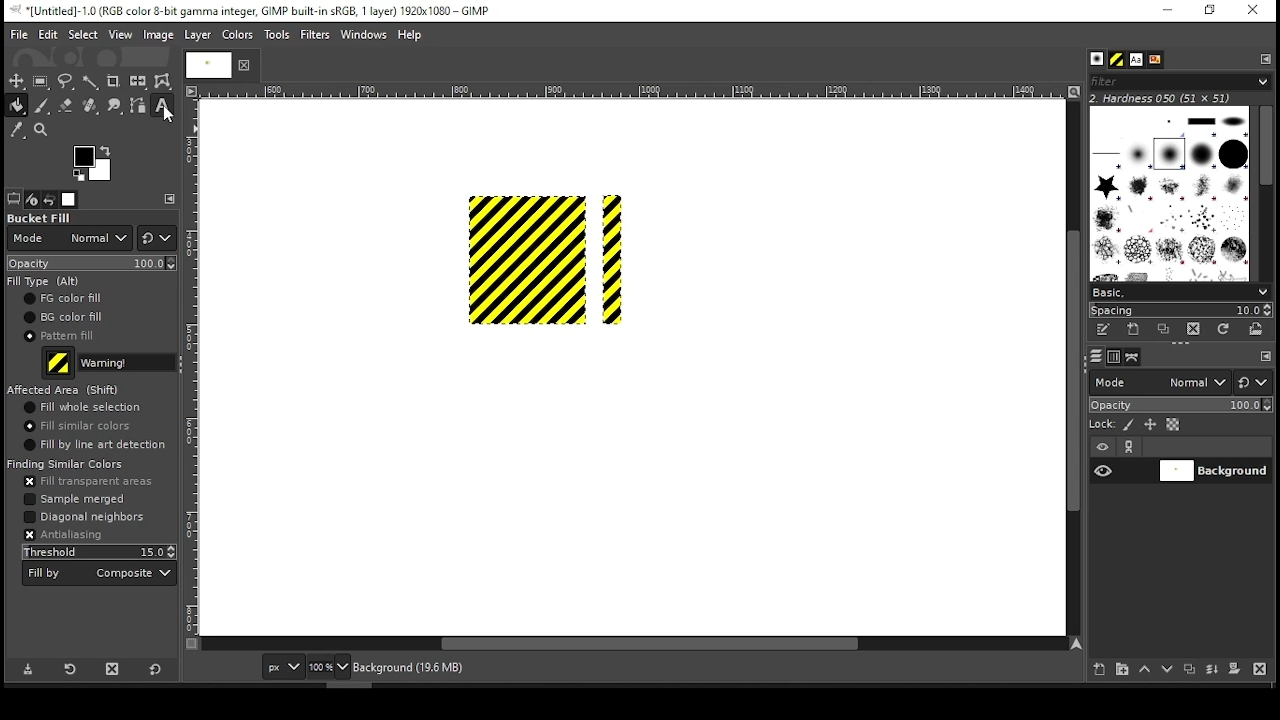  I want to click on filters, so click(1177, 82).